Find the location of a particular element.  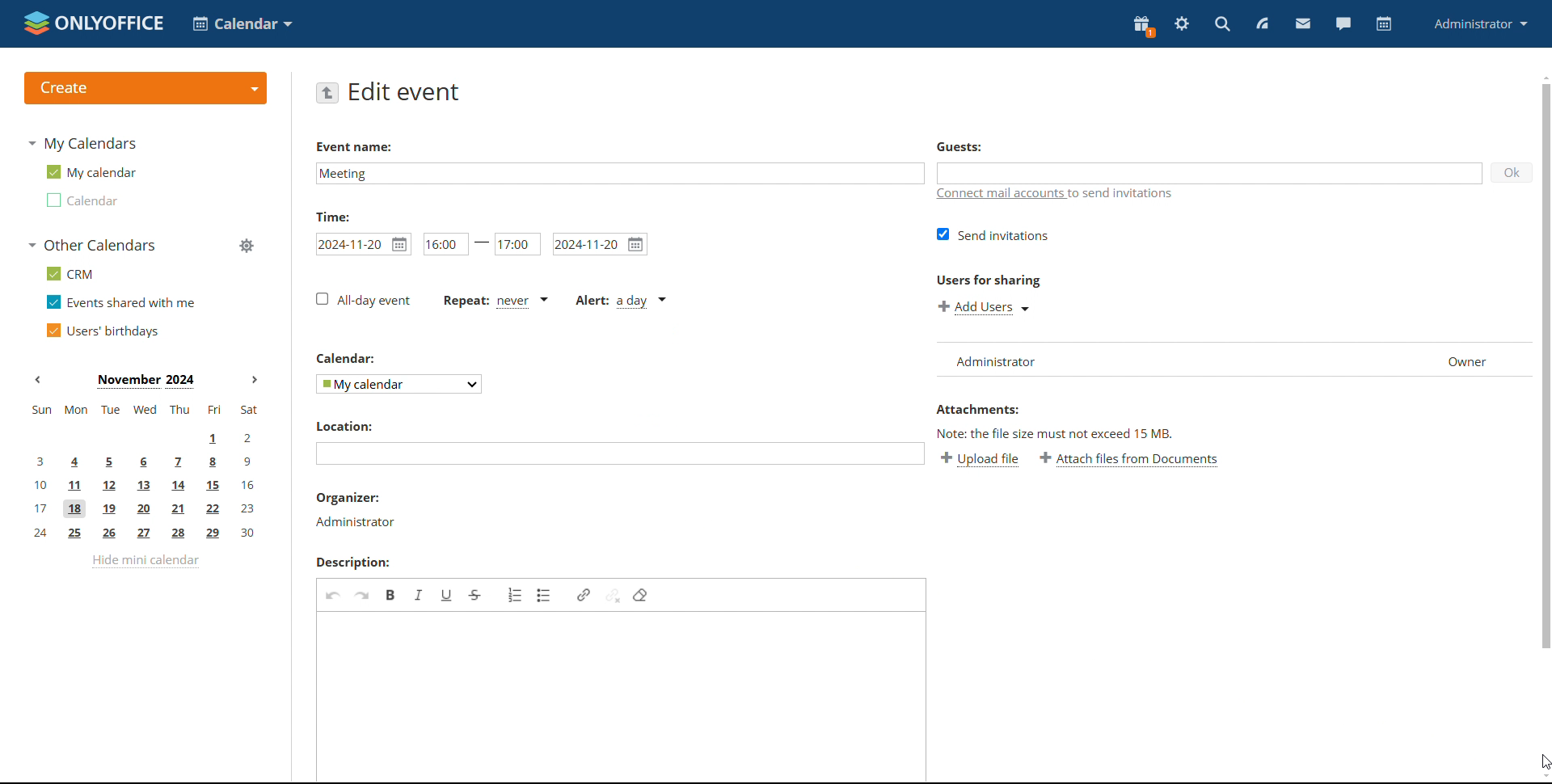

manage is located at coordinates (245, 245).